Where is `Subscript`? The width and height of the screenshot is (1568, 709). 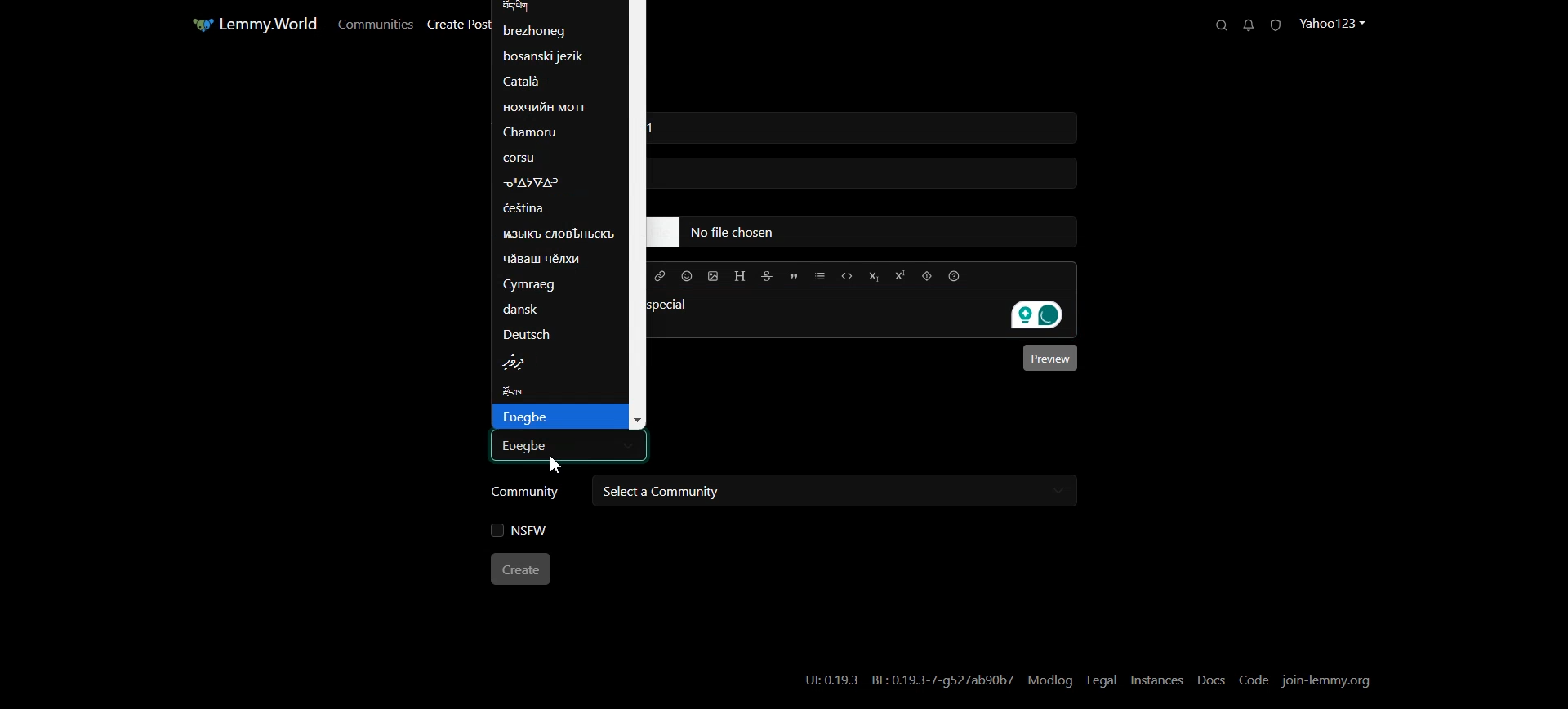
Subscript is located at coordinates (875, 276).